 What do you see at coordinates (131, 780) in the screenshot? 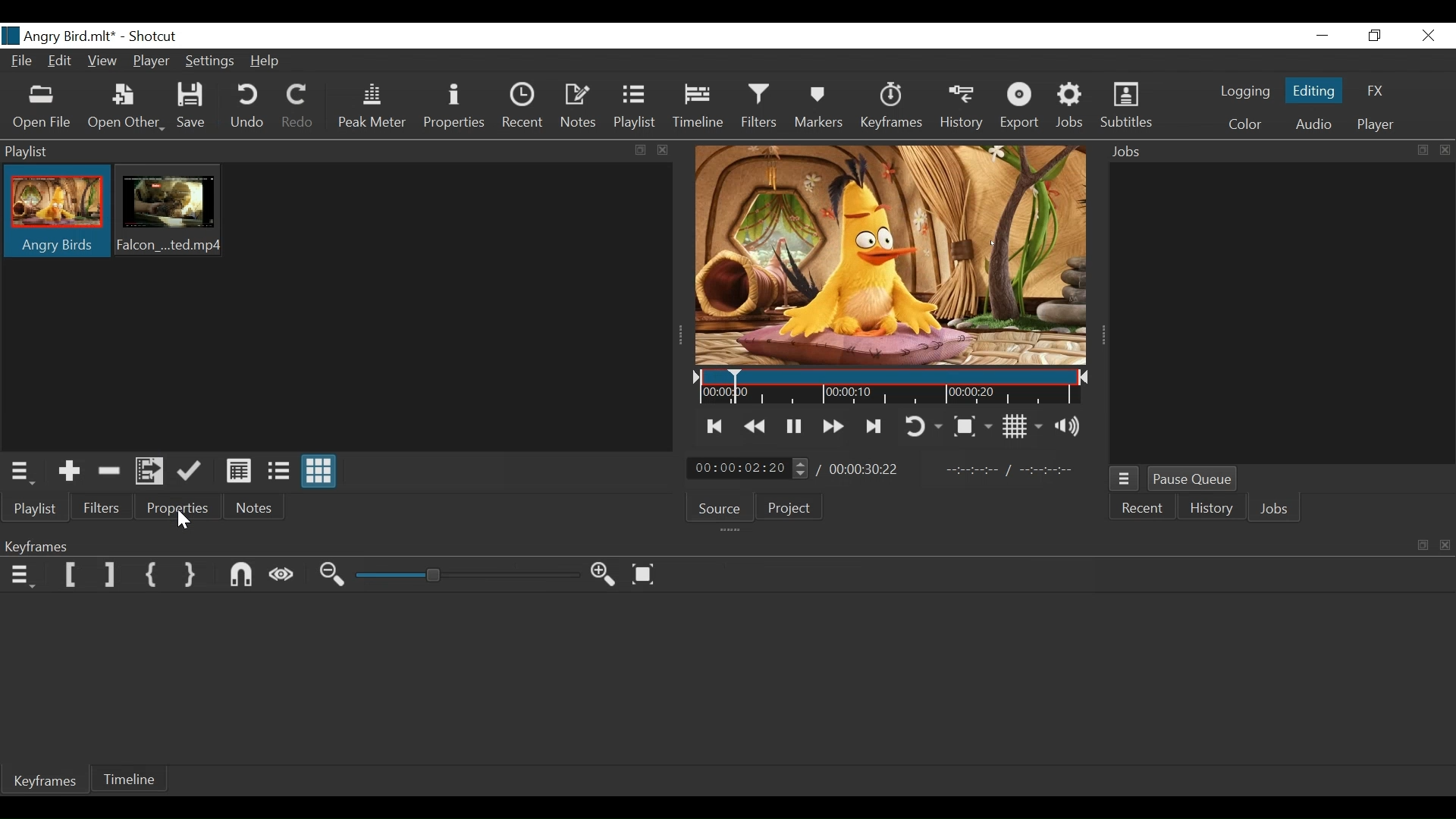
I see `Timeline` at bounding box center [131, 780].